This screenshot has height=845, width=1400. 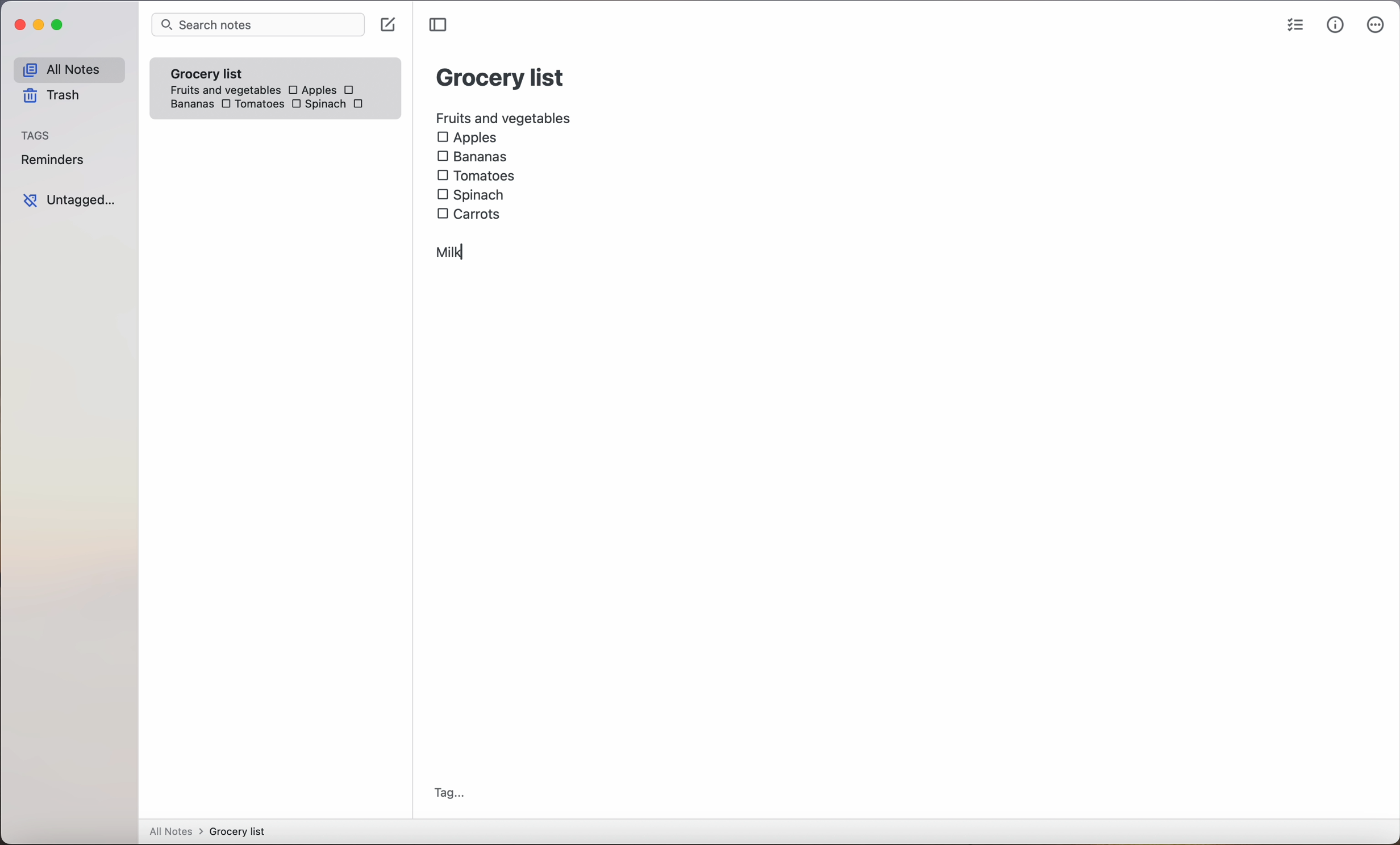 What do you see at coordinates (501, 76) in the screenshot?
I see `grocery list` at bounding box center [501, 76].